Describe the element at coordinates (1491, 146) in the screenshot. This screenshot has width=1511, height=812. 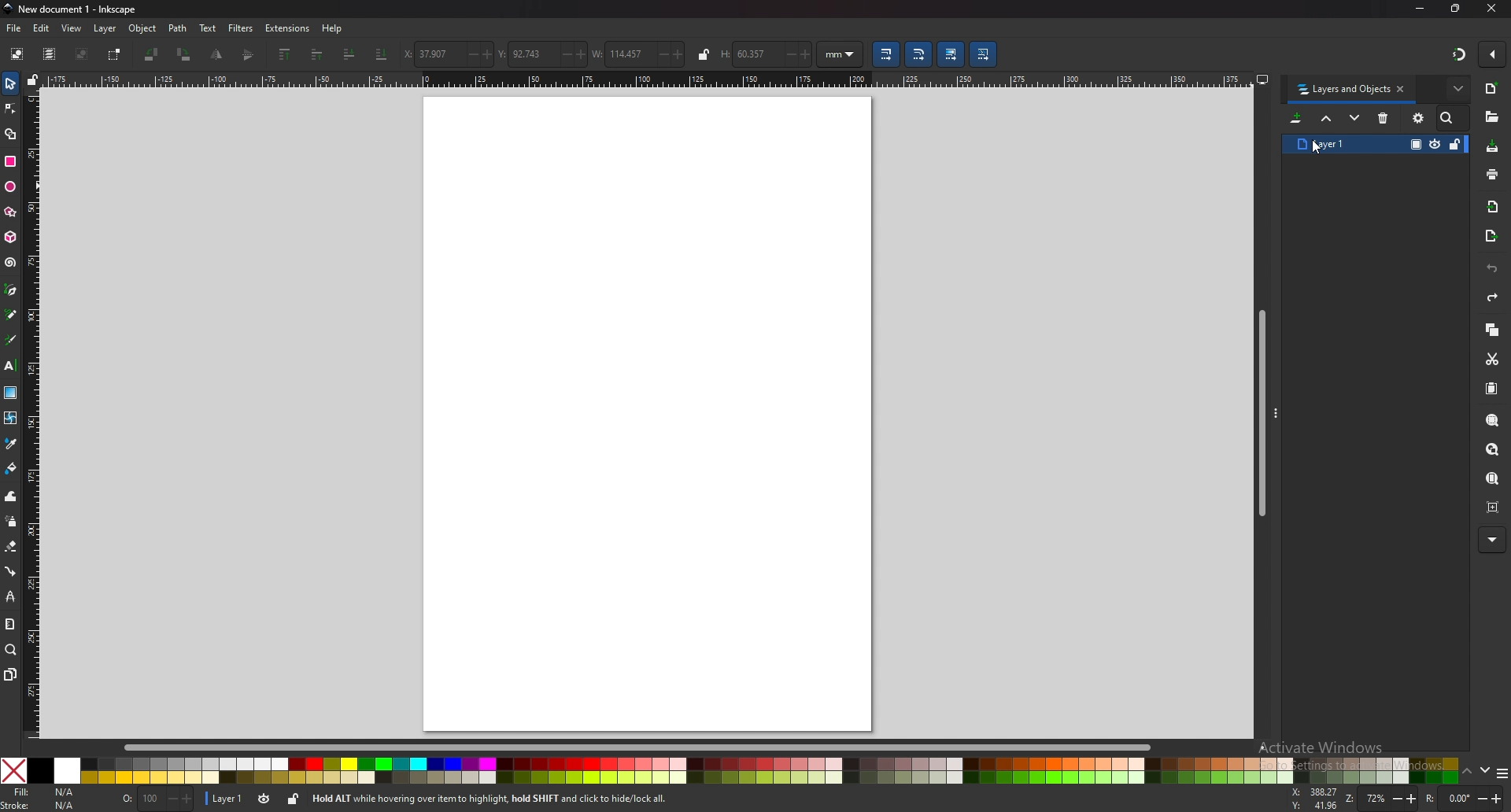
I see `save` at that location.